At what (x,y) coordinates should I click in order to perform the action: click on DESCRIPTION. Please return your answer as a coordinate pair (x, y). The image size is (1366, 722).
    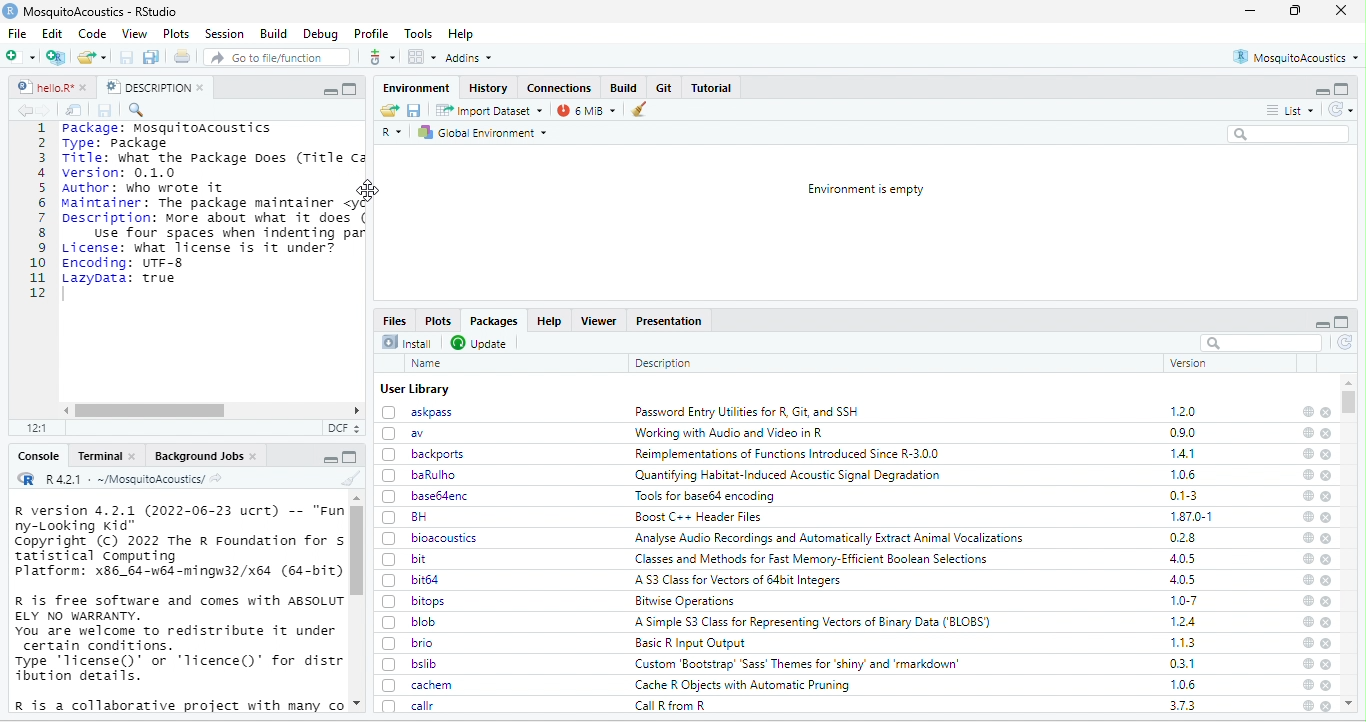
    Looking at the image, I should click on (154, 87).